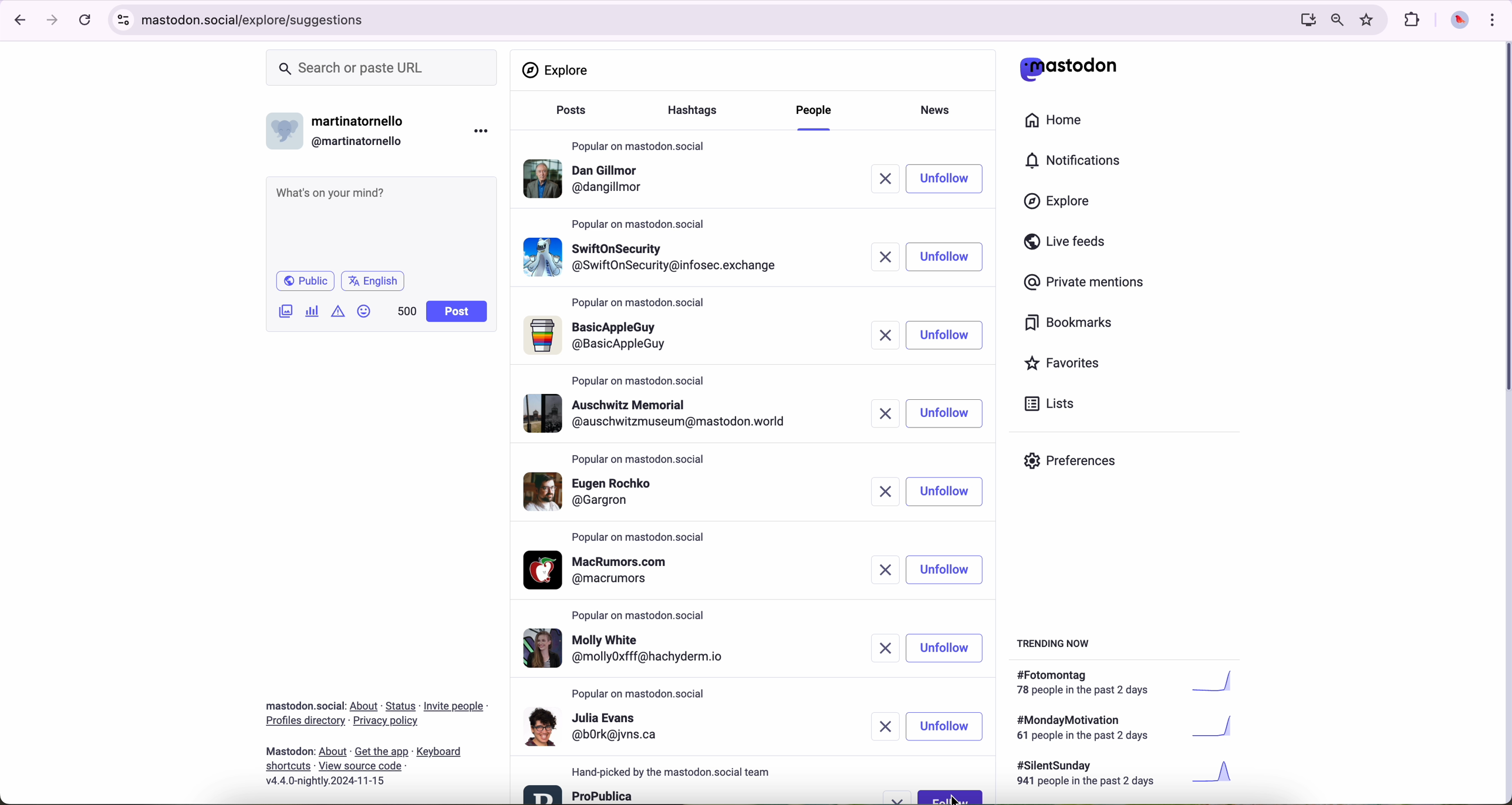 The height and width of the screenshot is (805, 1512). I want to click on follow, so click(950, 257).